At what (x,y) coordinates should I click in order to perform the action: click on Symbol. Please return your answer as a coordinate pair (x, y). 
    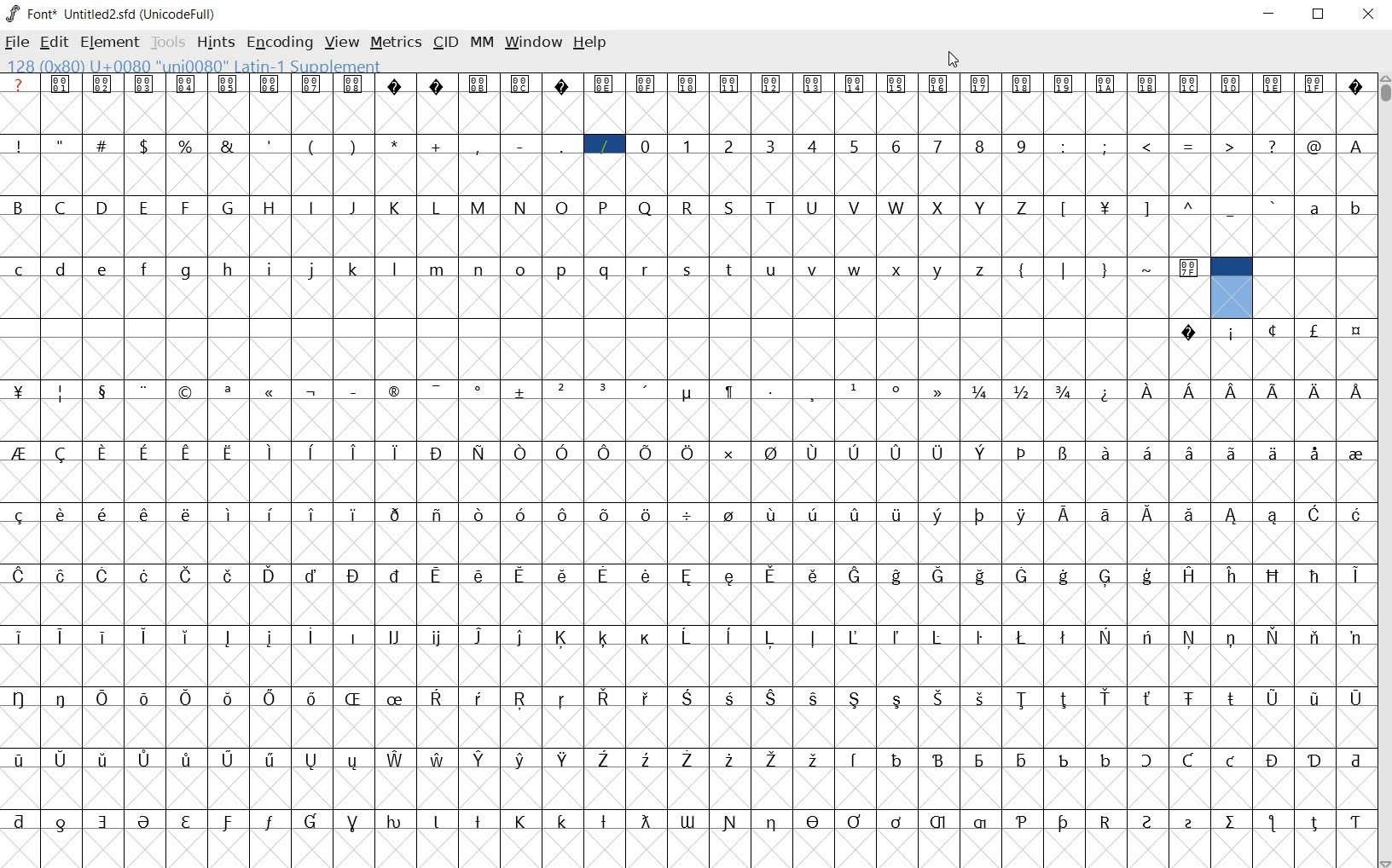
    Looking at the image, I should click on (771, 84).